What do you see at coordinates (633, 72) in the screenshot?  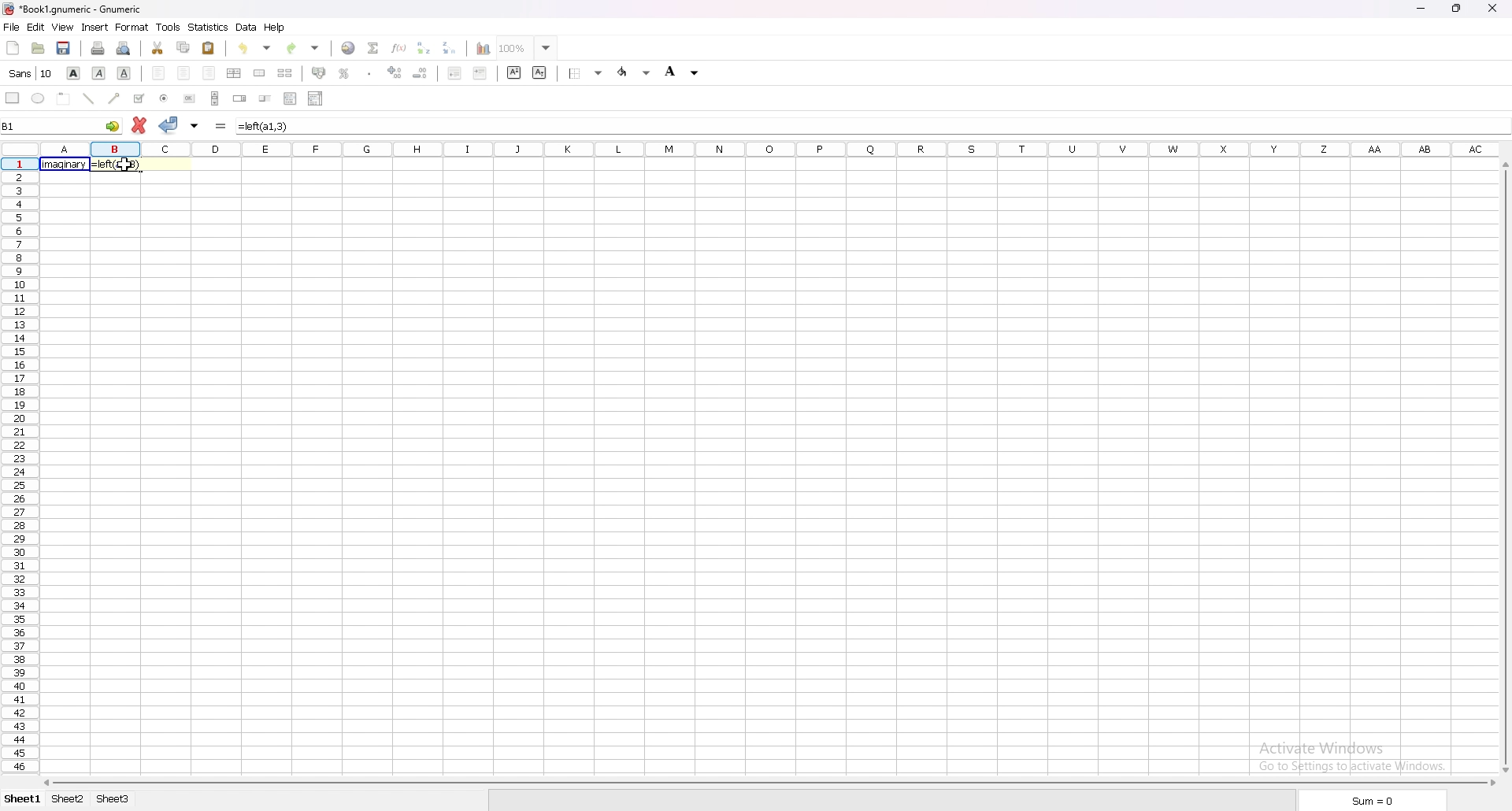 I see `foreground` at bounding box center [633, 72].